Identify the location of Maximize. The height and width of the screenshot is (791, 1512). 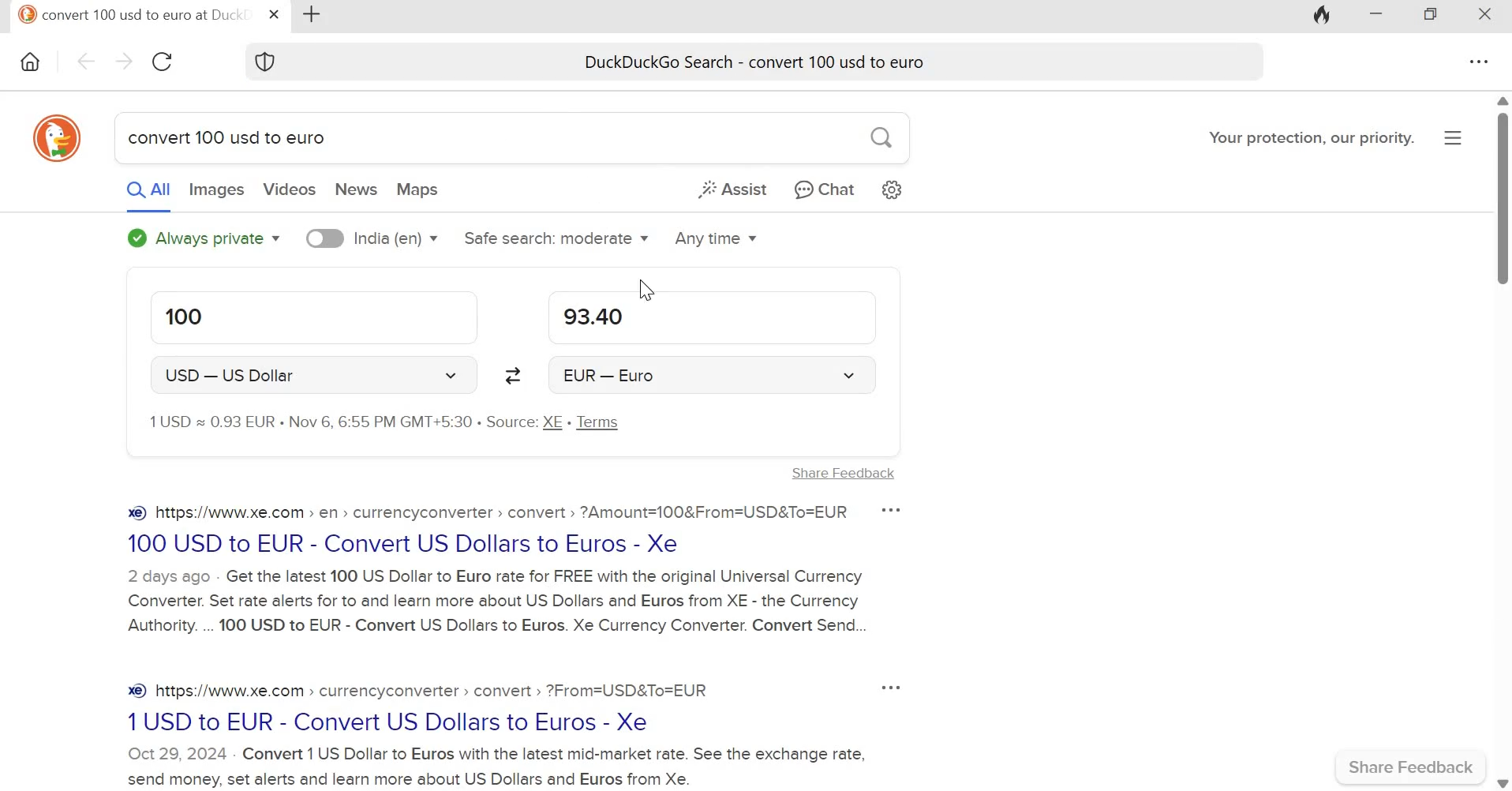
(1438, 16).